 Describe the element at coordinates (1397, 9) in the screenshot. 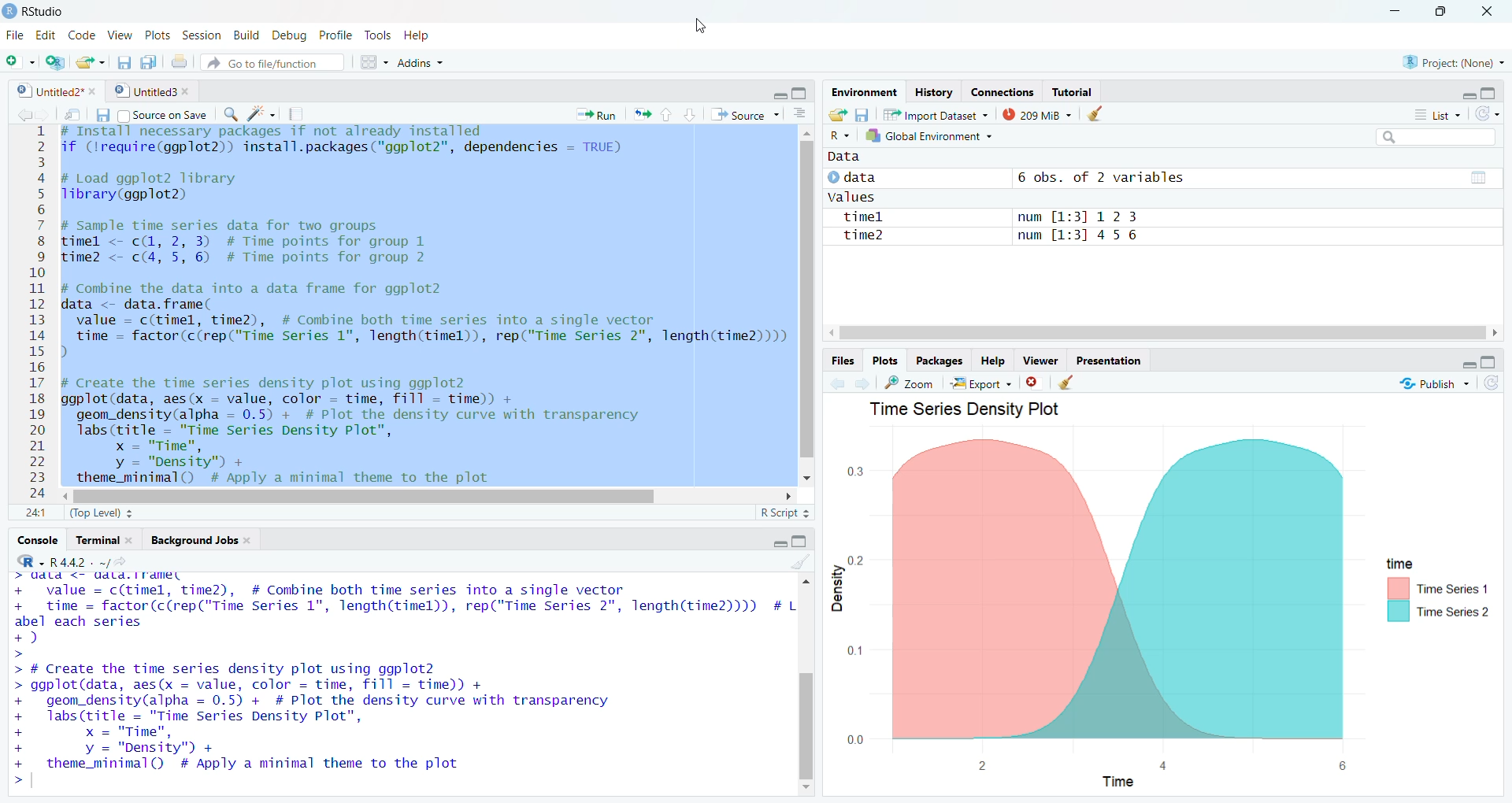

I see `Minimize` at that location.